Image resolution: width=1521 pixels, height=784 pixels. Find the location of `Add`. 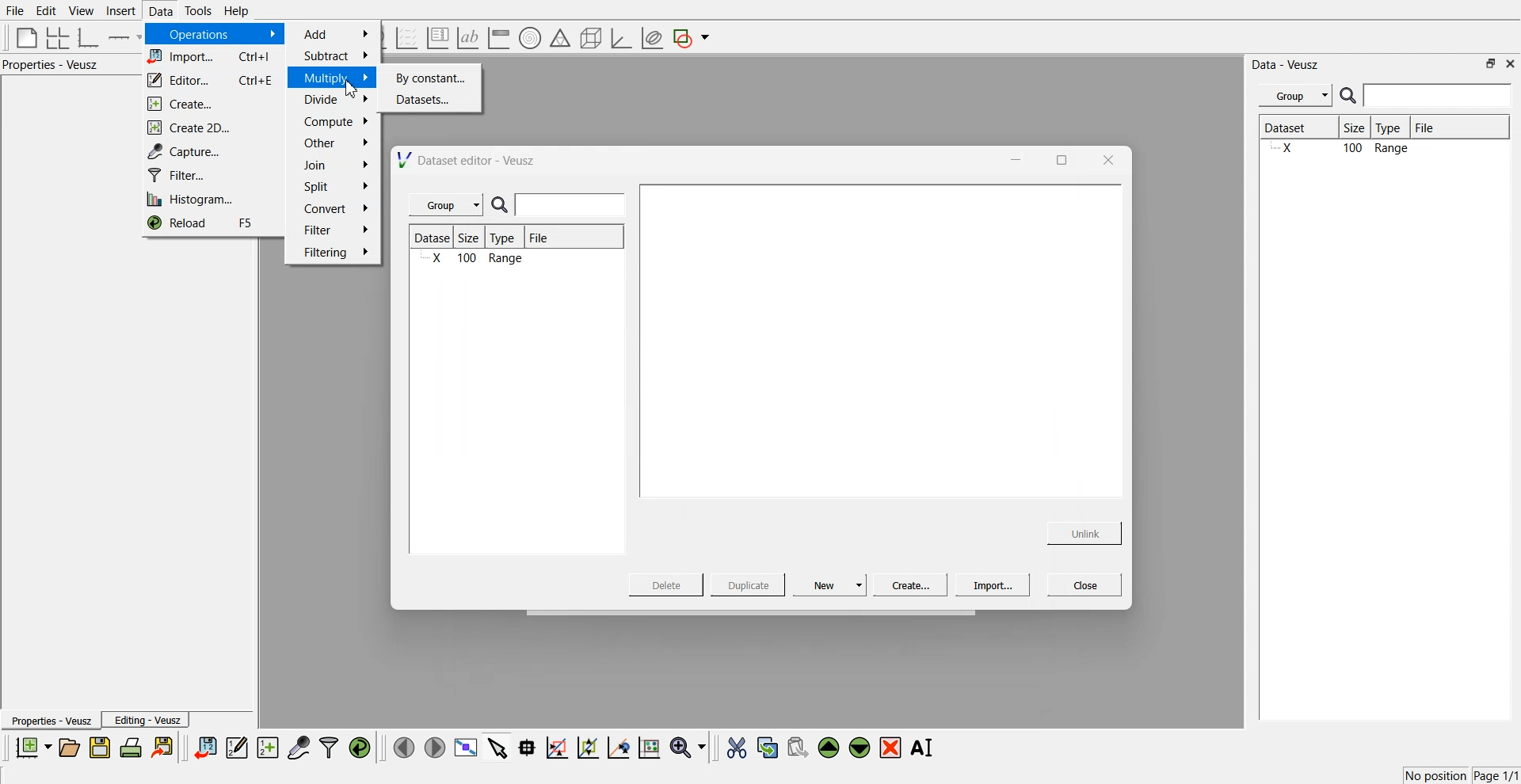

Add is located at coordinates (337, 34).